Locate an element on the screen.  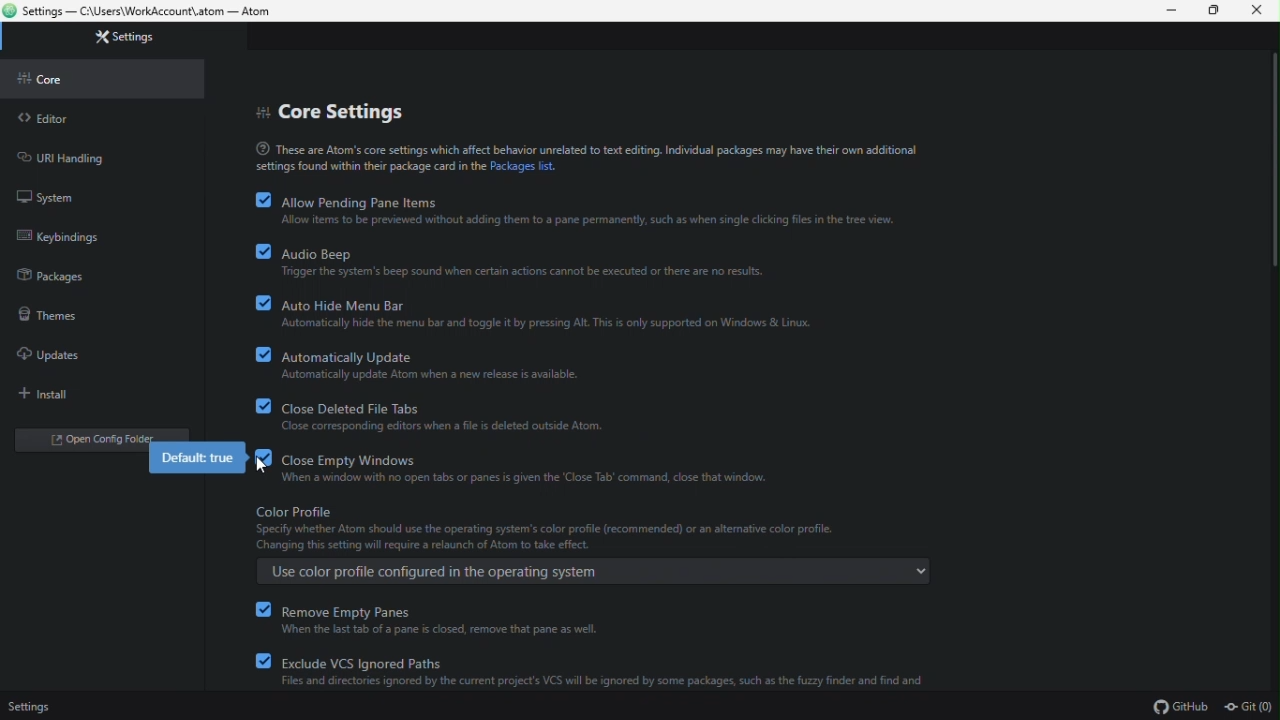
close is located at coordinates (1263, 12).